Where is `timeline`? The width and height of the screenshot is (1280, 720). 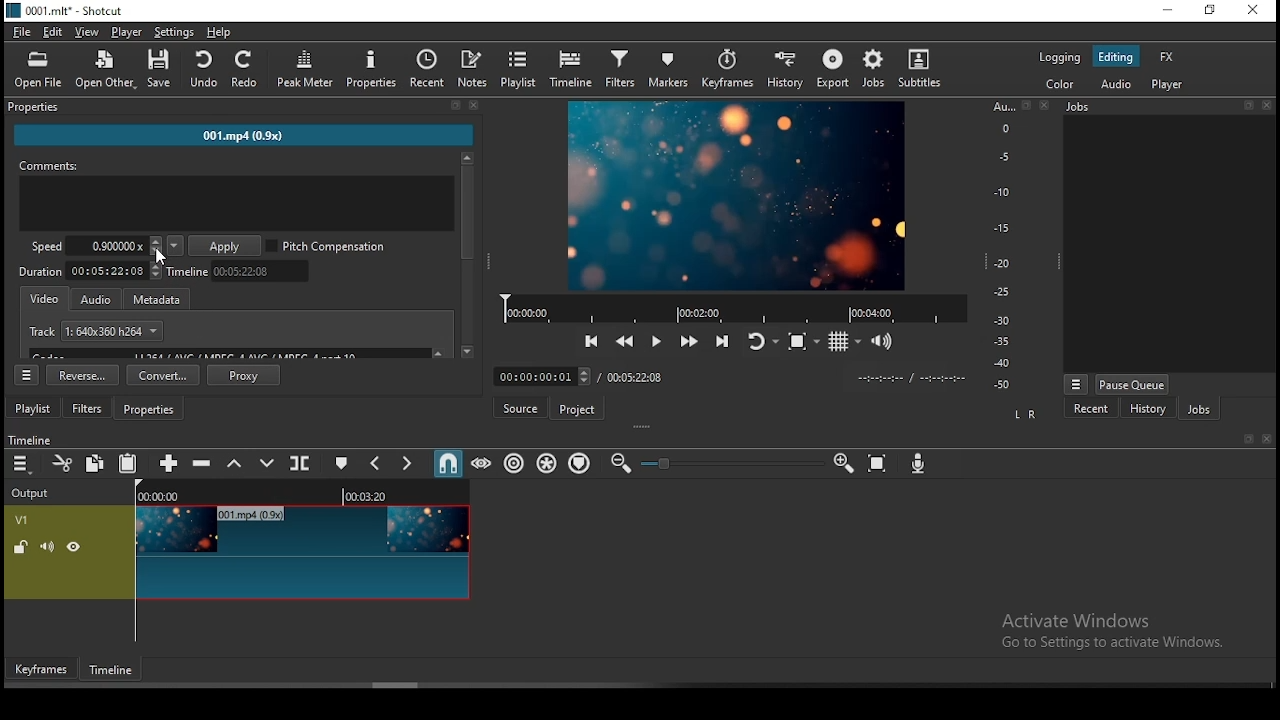 timeline is located at coordinates (30, 440).